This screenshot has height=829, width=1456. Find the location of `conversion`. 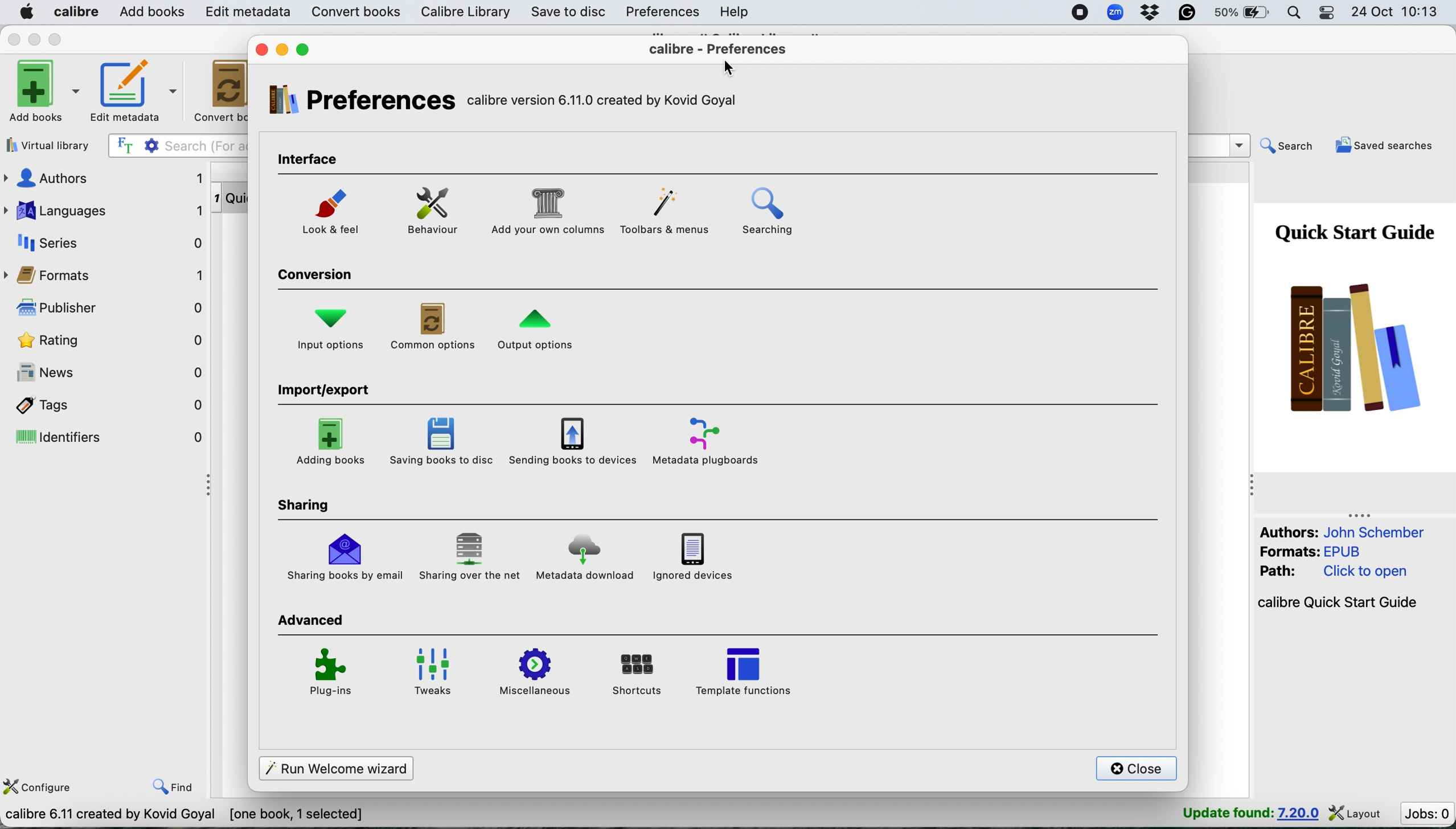

conversion is located at coordinates (323, 274).